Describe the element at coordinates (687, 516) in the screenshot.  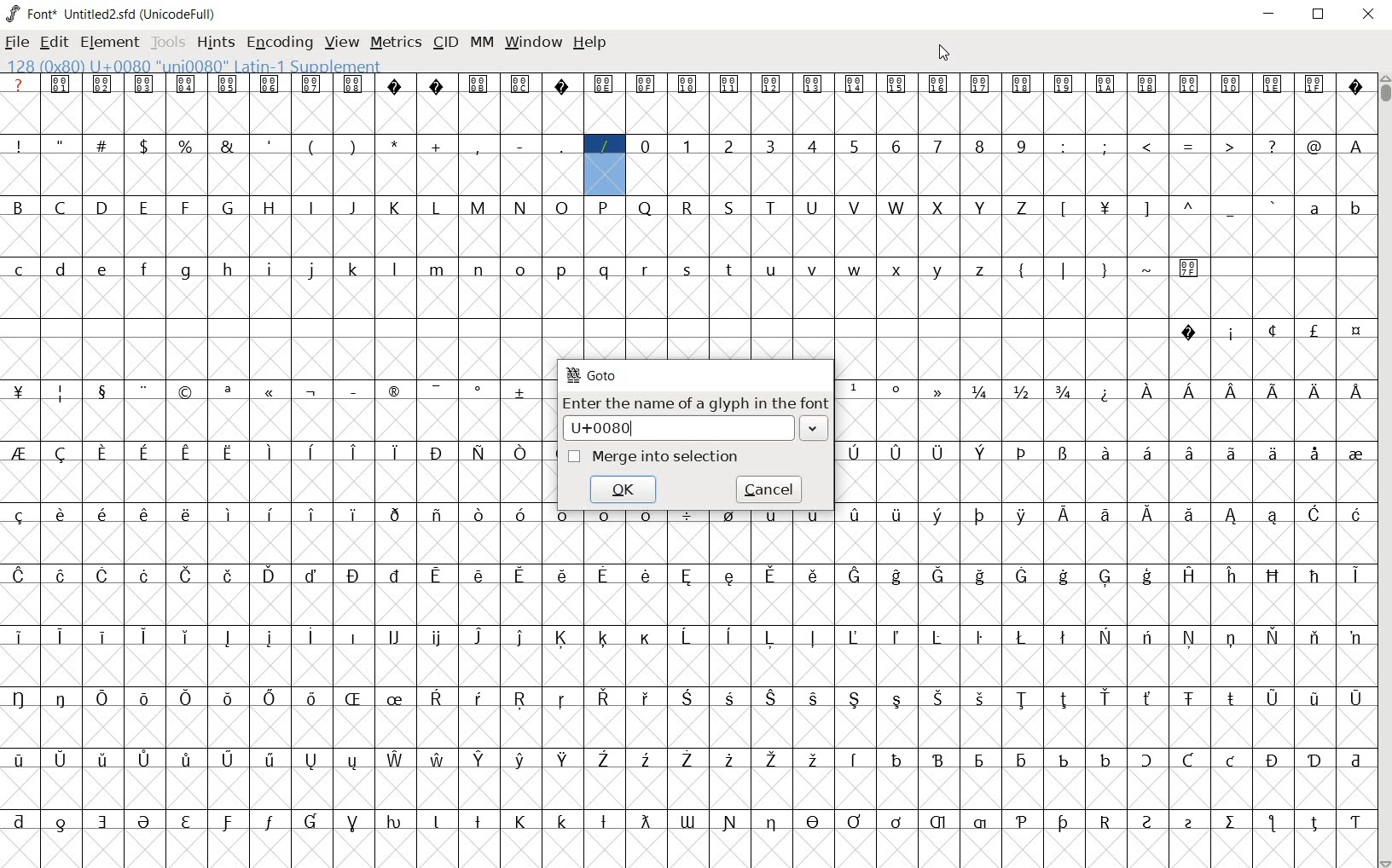
I see `glyph` at that location.